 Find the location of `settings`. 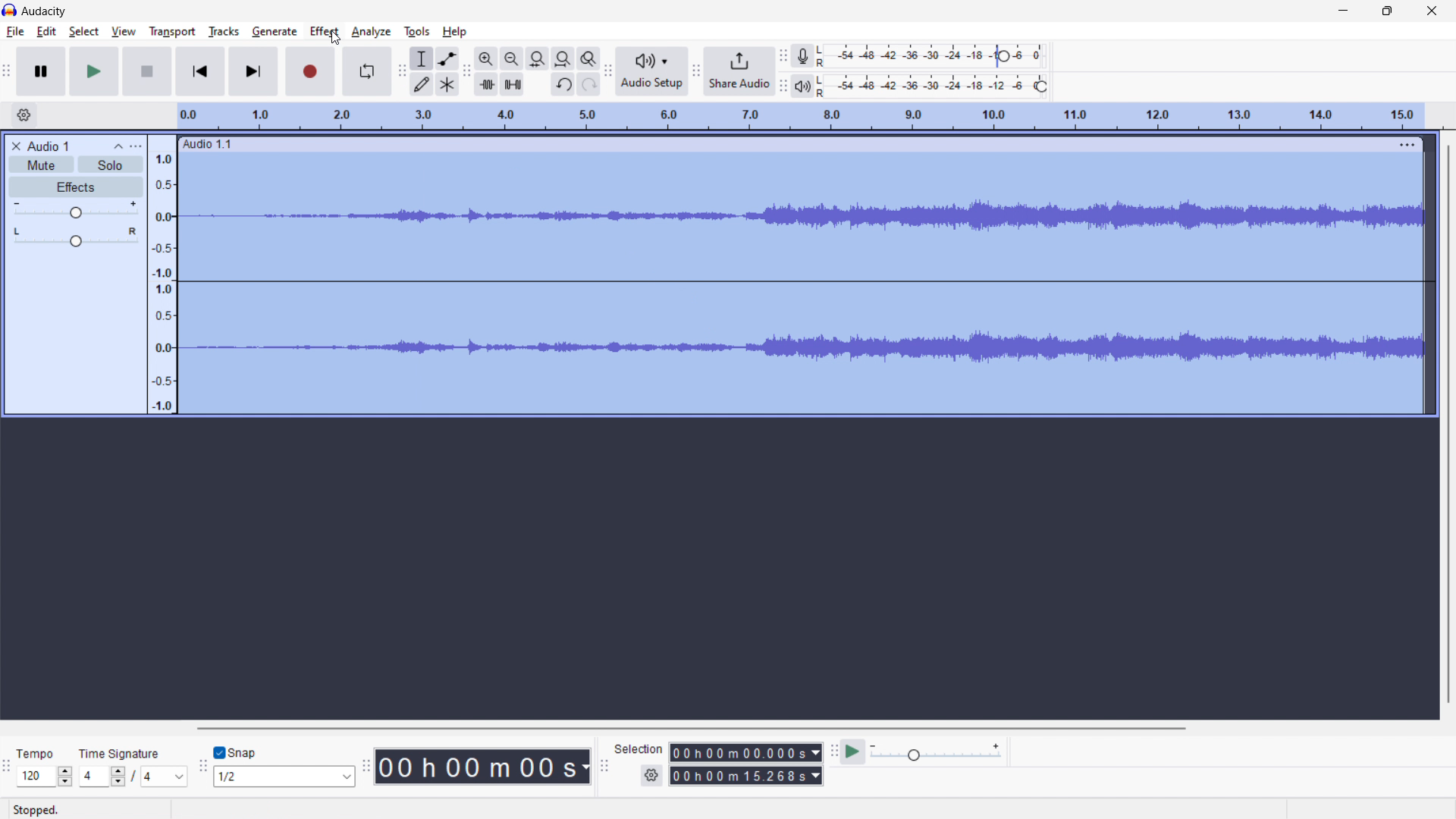

settings is located at coordinates (651, 776).